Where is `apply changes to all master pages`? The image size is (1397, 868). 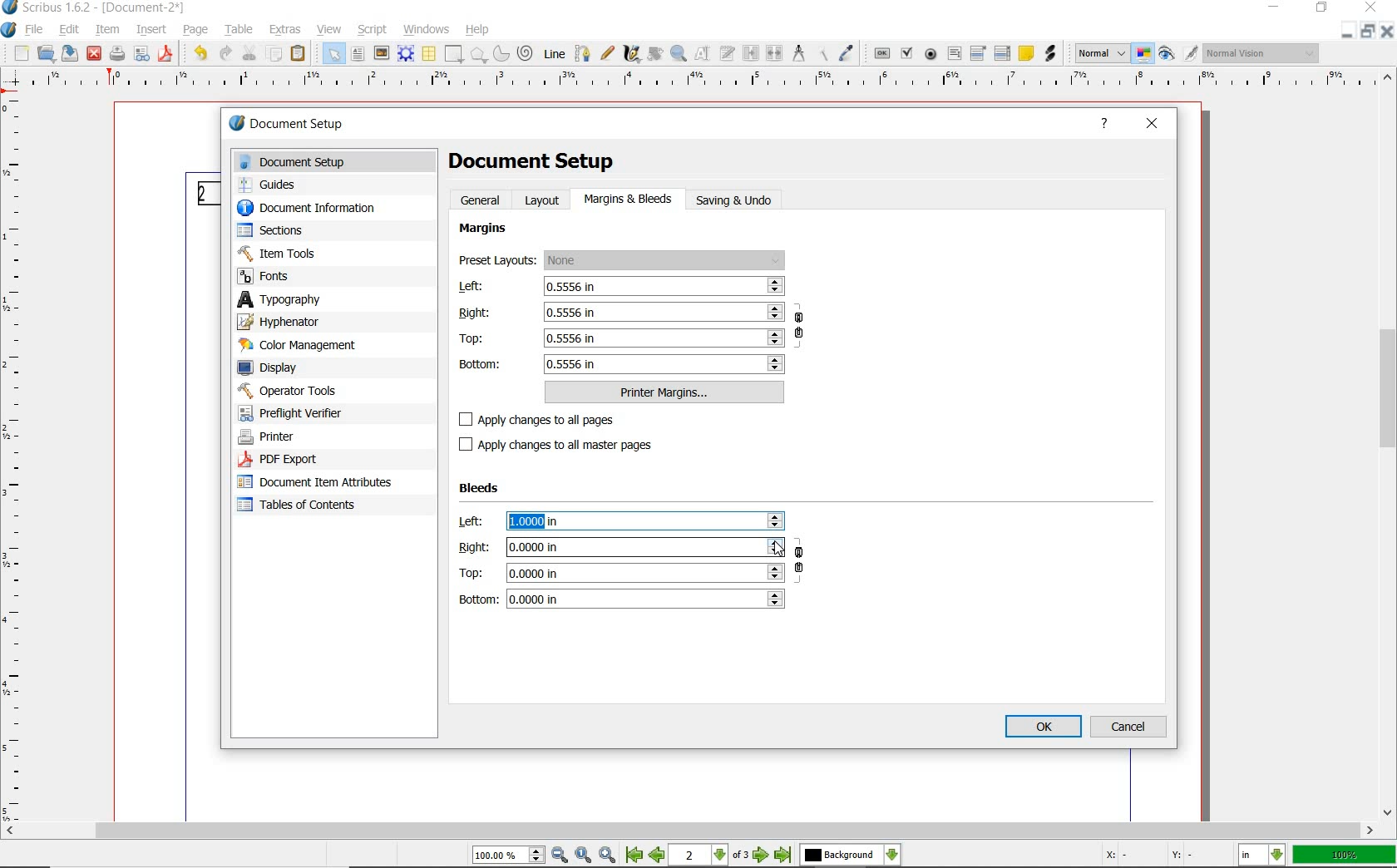
apply changes to all master pages is located at coordinates (565, 445).